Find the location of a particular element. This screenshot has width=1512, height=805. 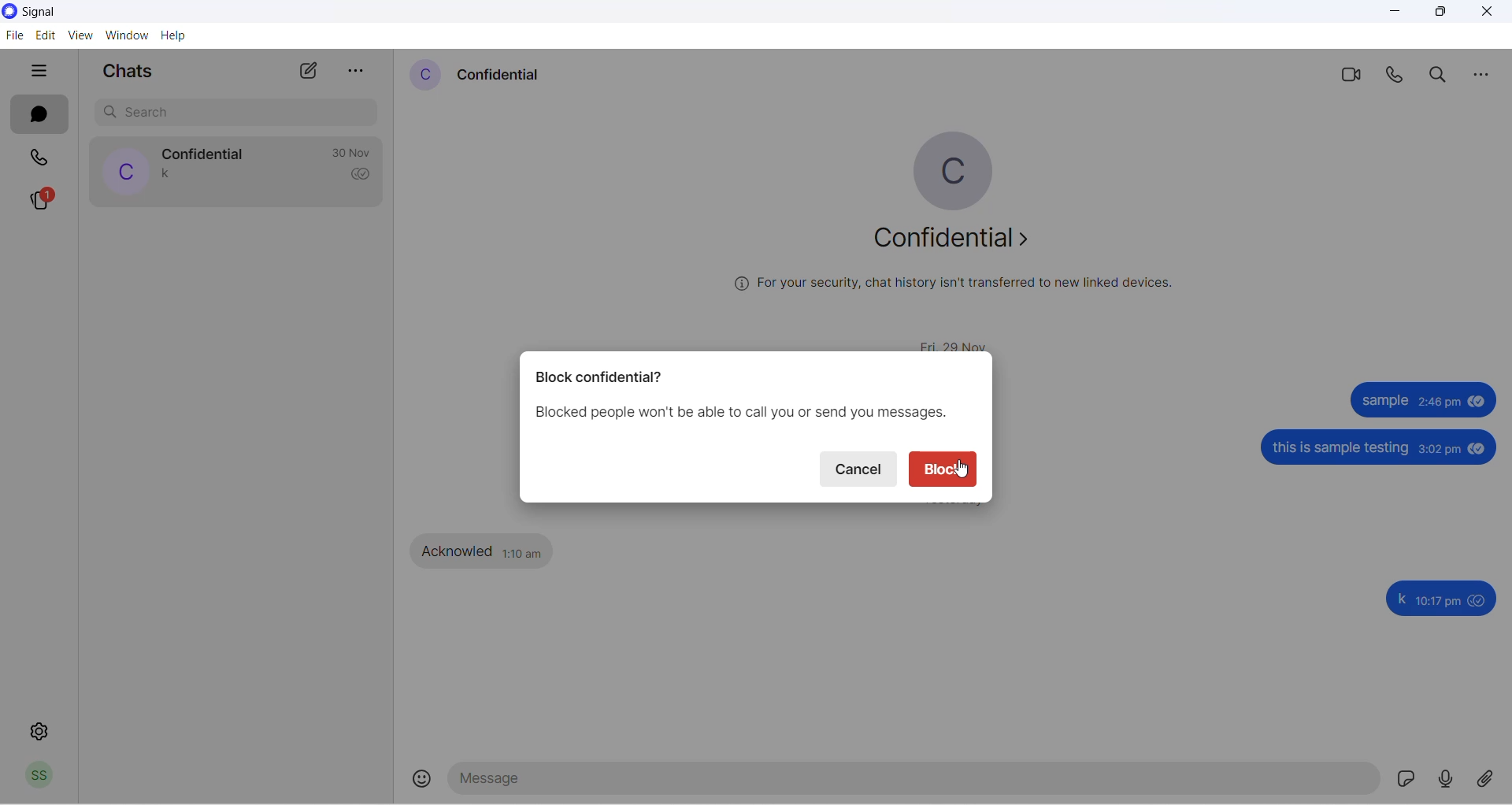

edit is located at coordinates (45, 34).